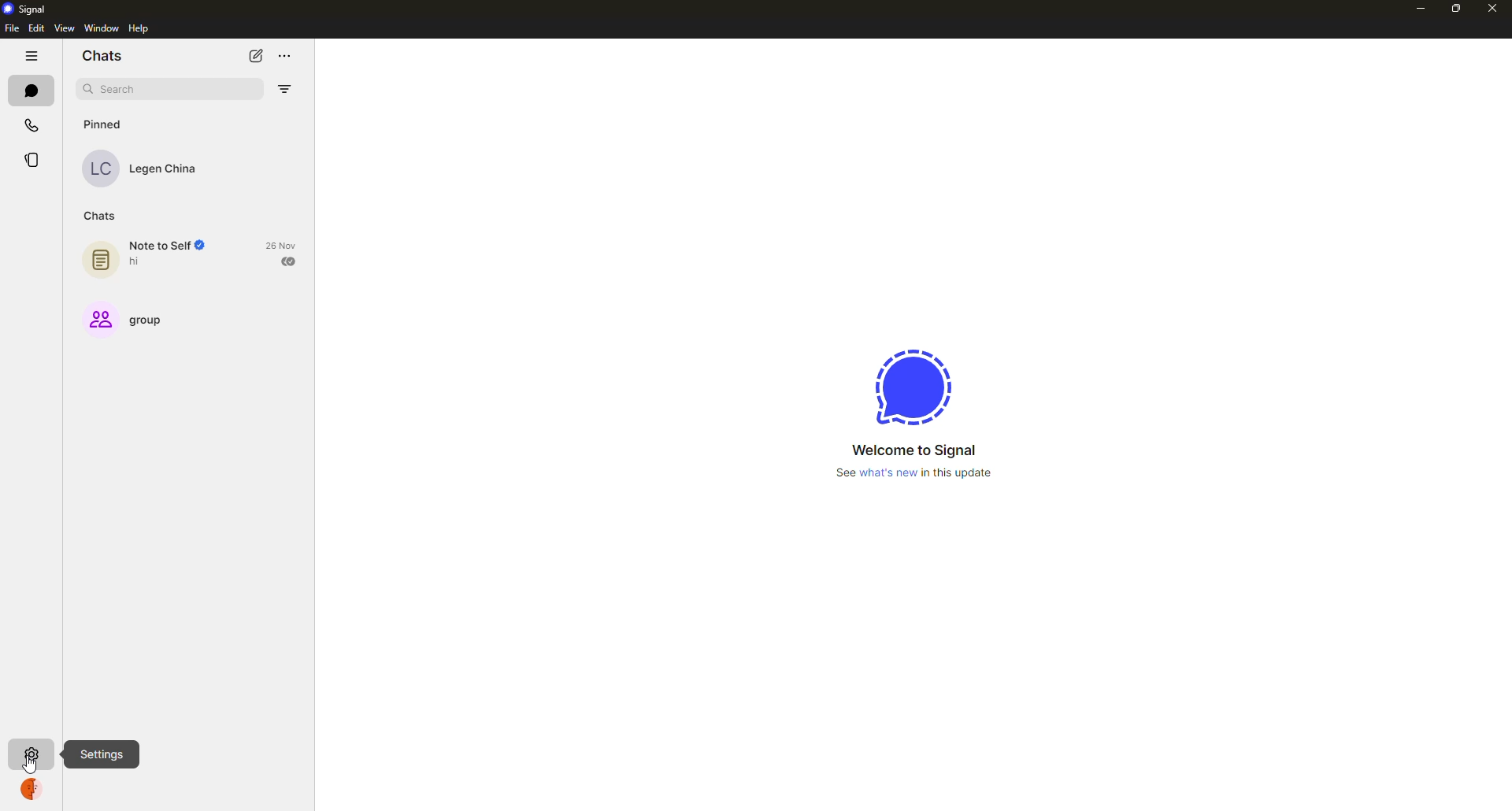 This screenshot has width=1512, height=811. What do you see at coordinates (33, 754) in the screenshot?
I see `settings` at bounding box center [33, 754].